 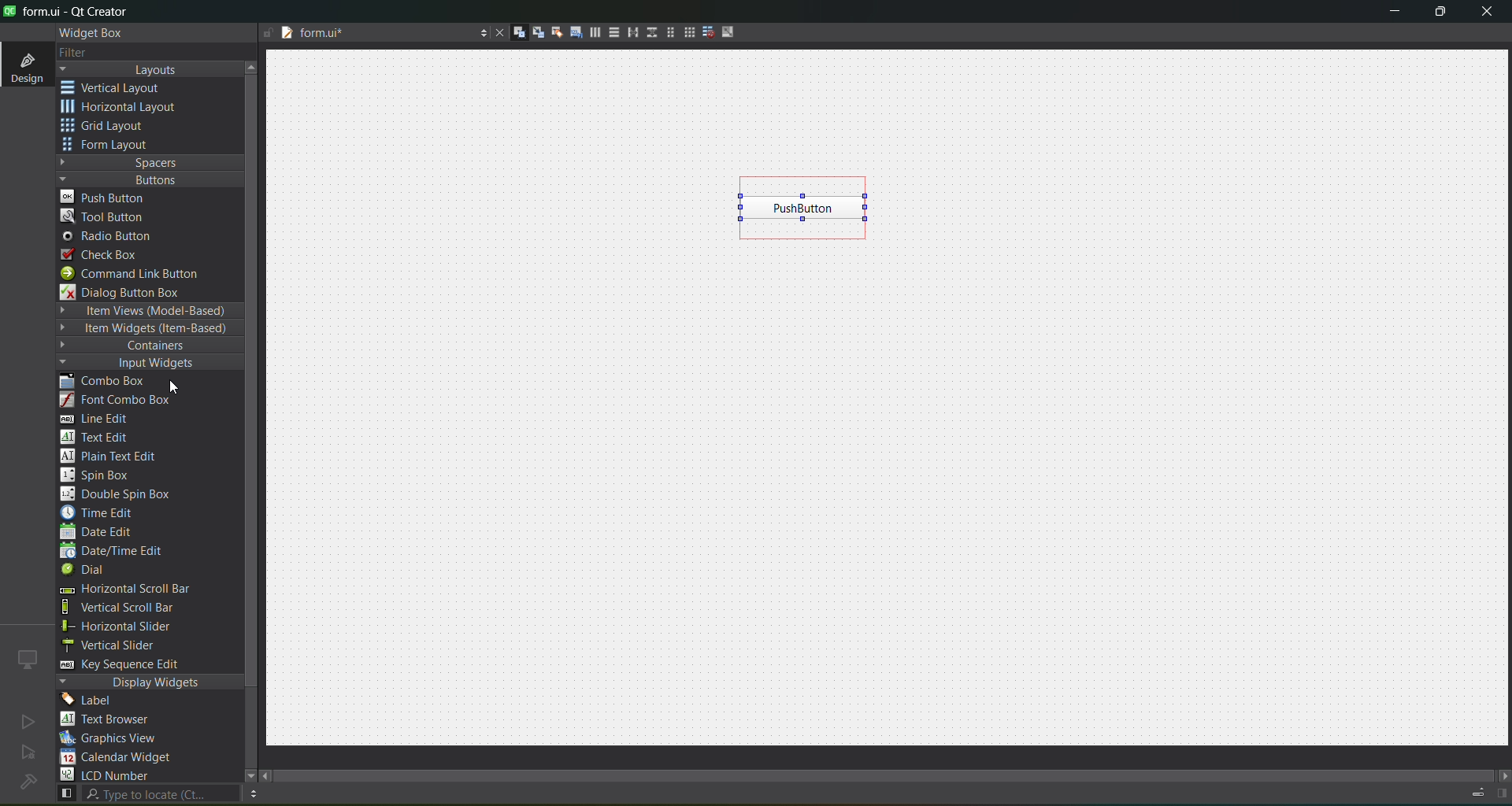 What do you see at coordinates (268, 777) in the screenshot?
I see `move left` at bounding box center [268, 777].